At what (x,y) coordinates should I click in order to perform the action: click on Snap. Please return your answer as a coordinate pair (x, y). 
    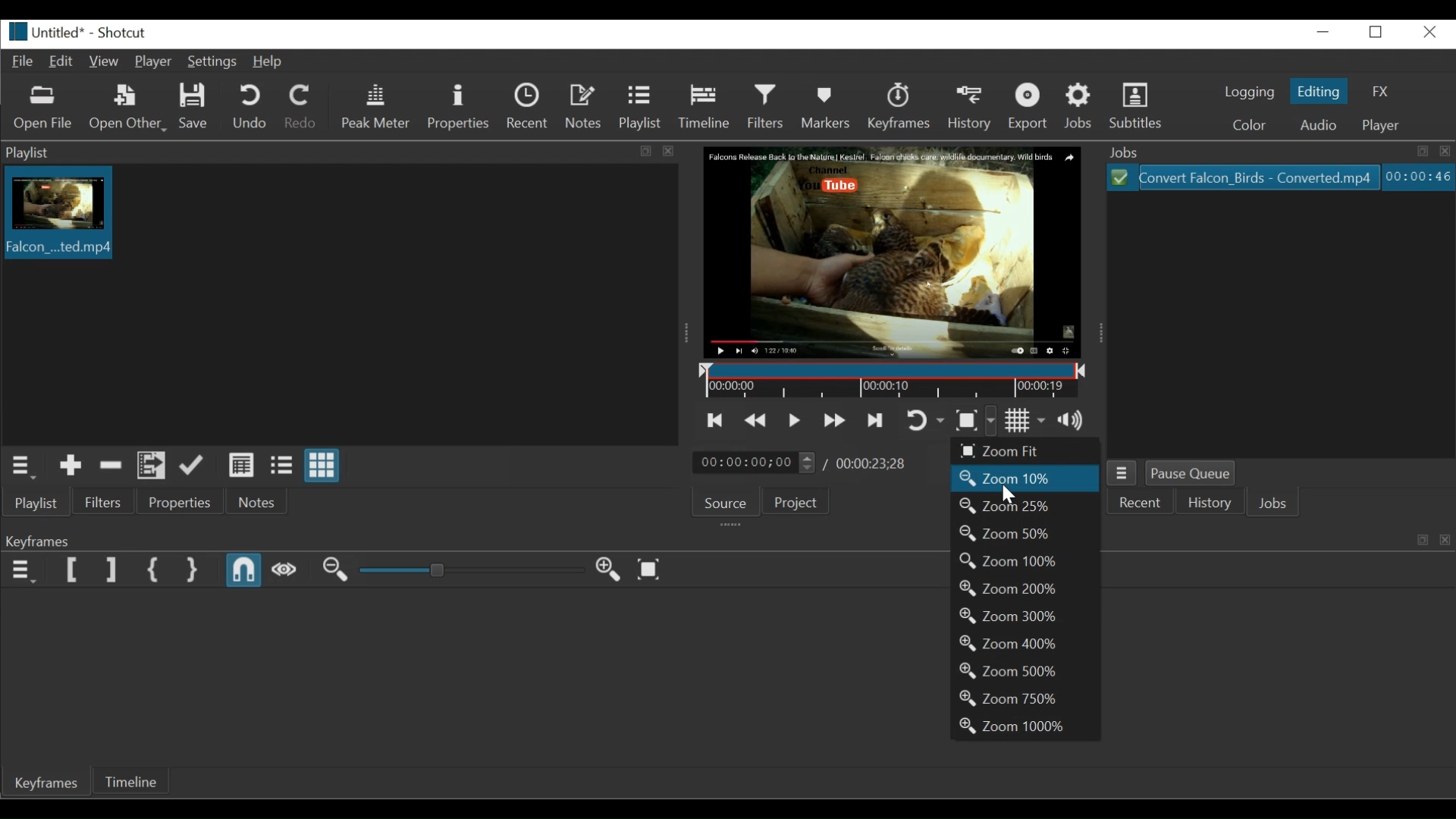
    Looking at the image, I should click on (244, 570).